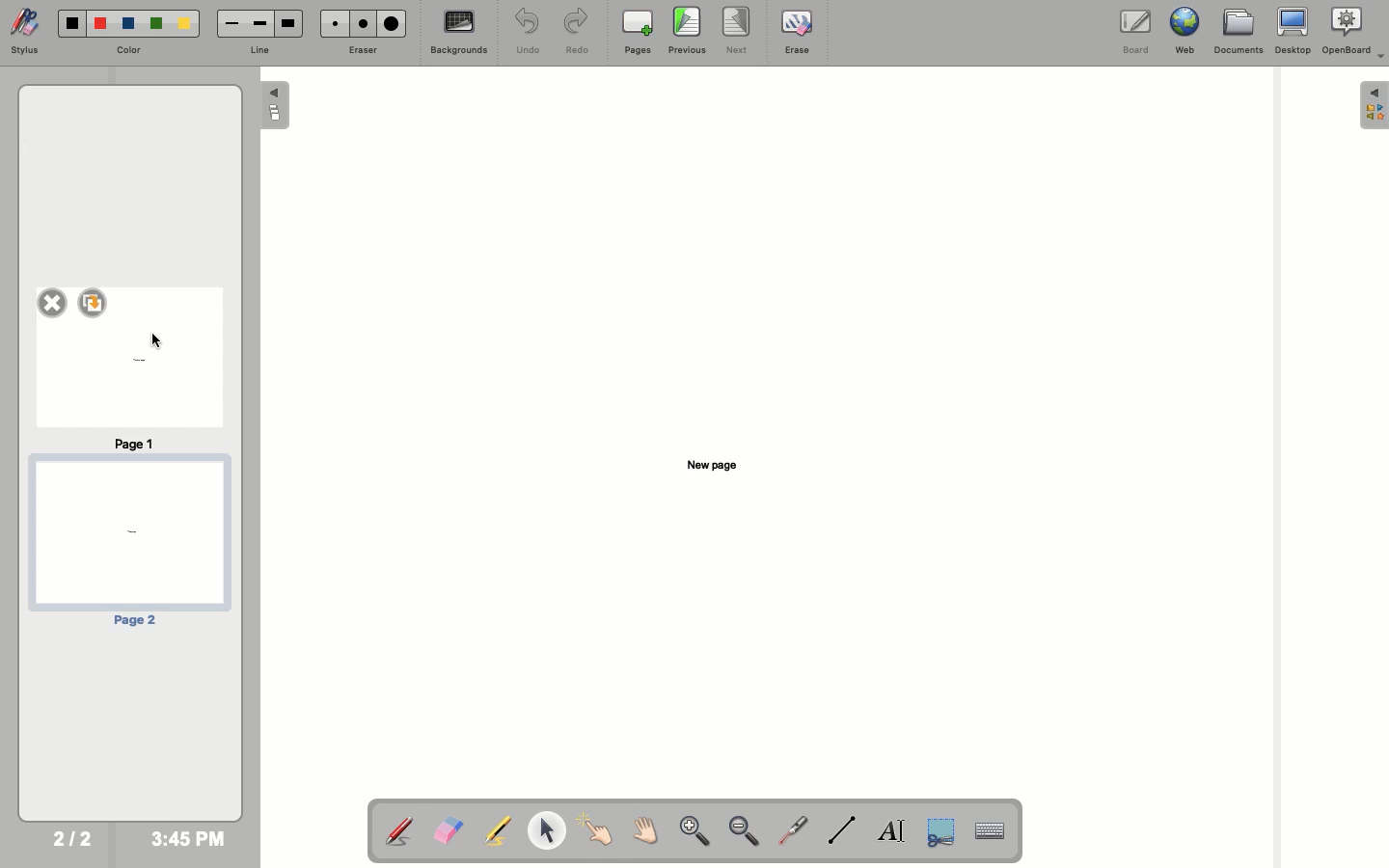 This screenshot has width=1389, height=868. What do you see at coordinates (1375, 105) in the screenshot?
I see `The library (right panel)` at bounding box center [1375, 105].